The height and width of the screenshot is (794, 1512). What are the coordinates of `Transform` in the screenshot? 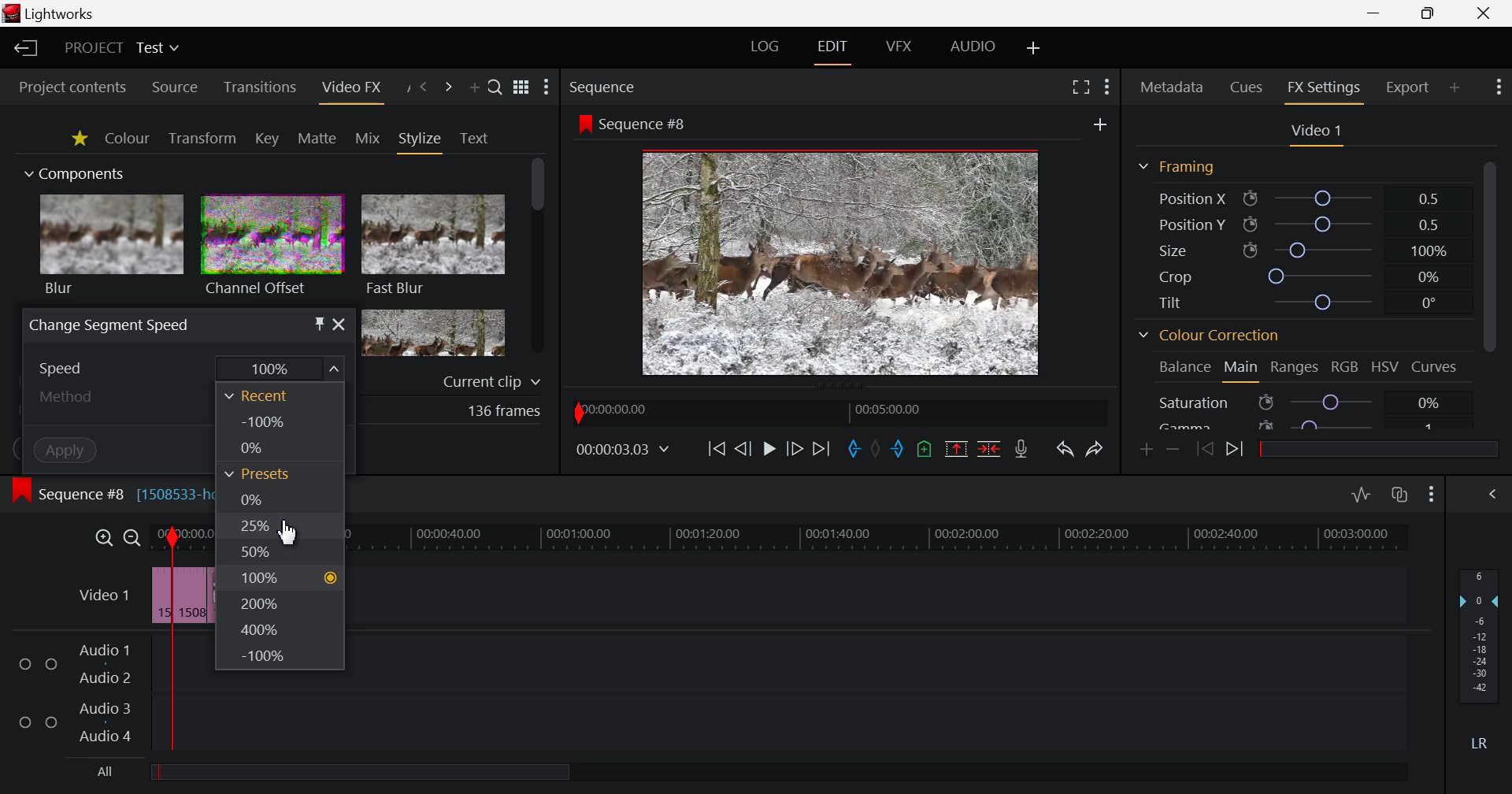 It's located at (202, 138).